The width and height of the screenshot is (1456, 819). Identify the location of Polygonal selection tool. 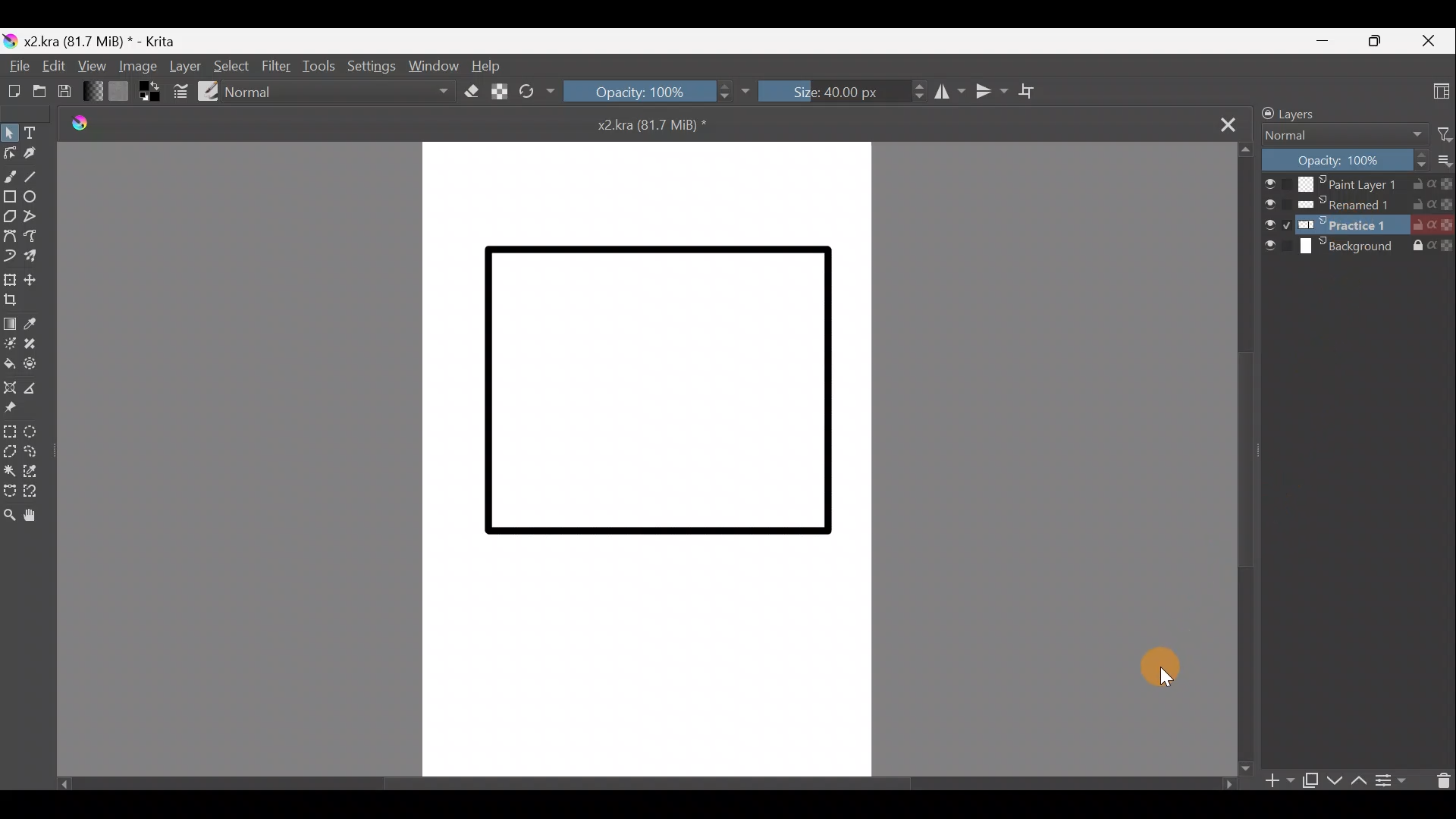
(9, 449).